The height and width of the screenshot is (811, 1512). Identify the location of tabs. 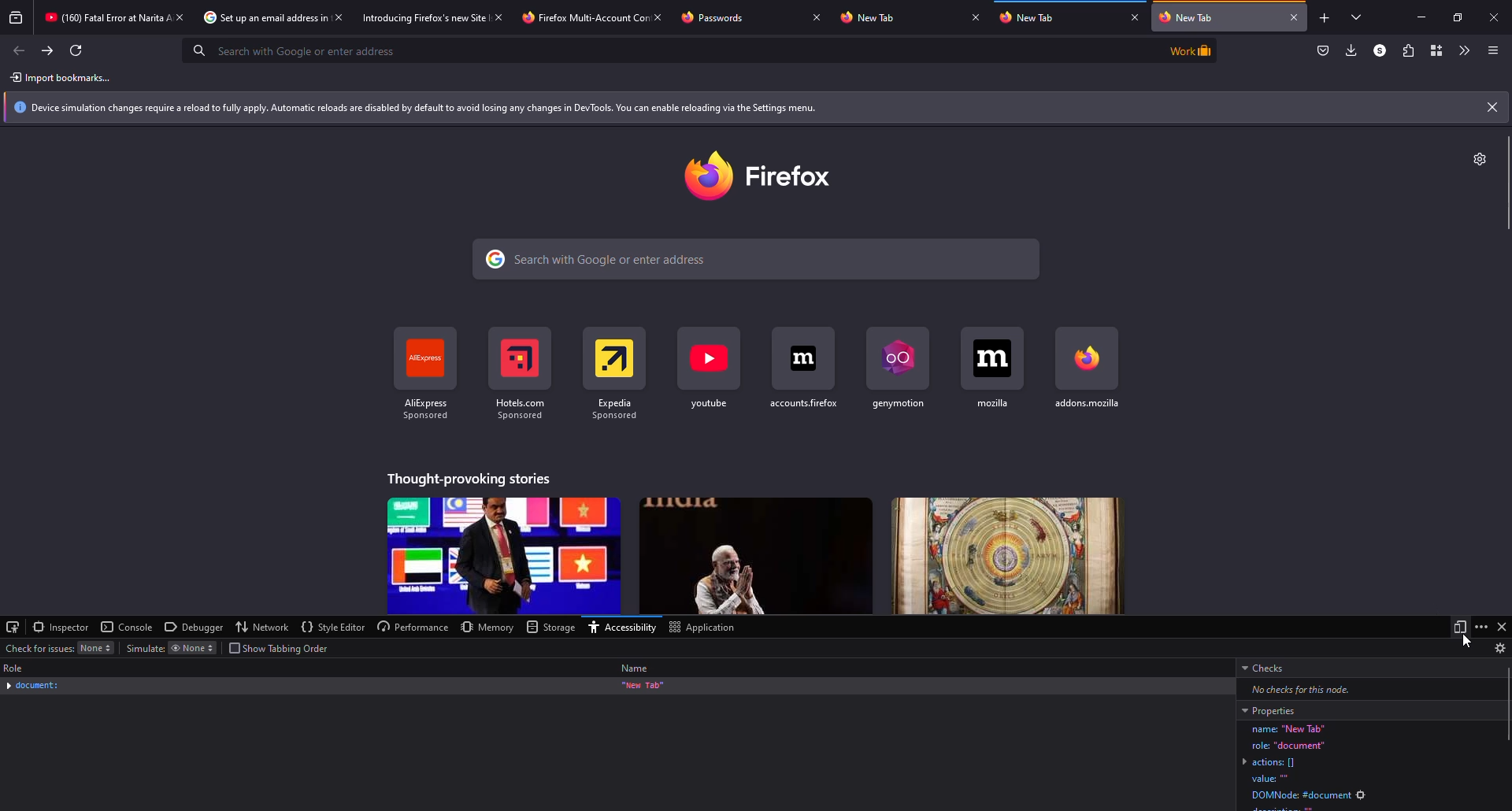
(1357, 19).